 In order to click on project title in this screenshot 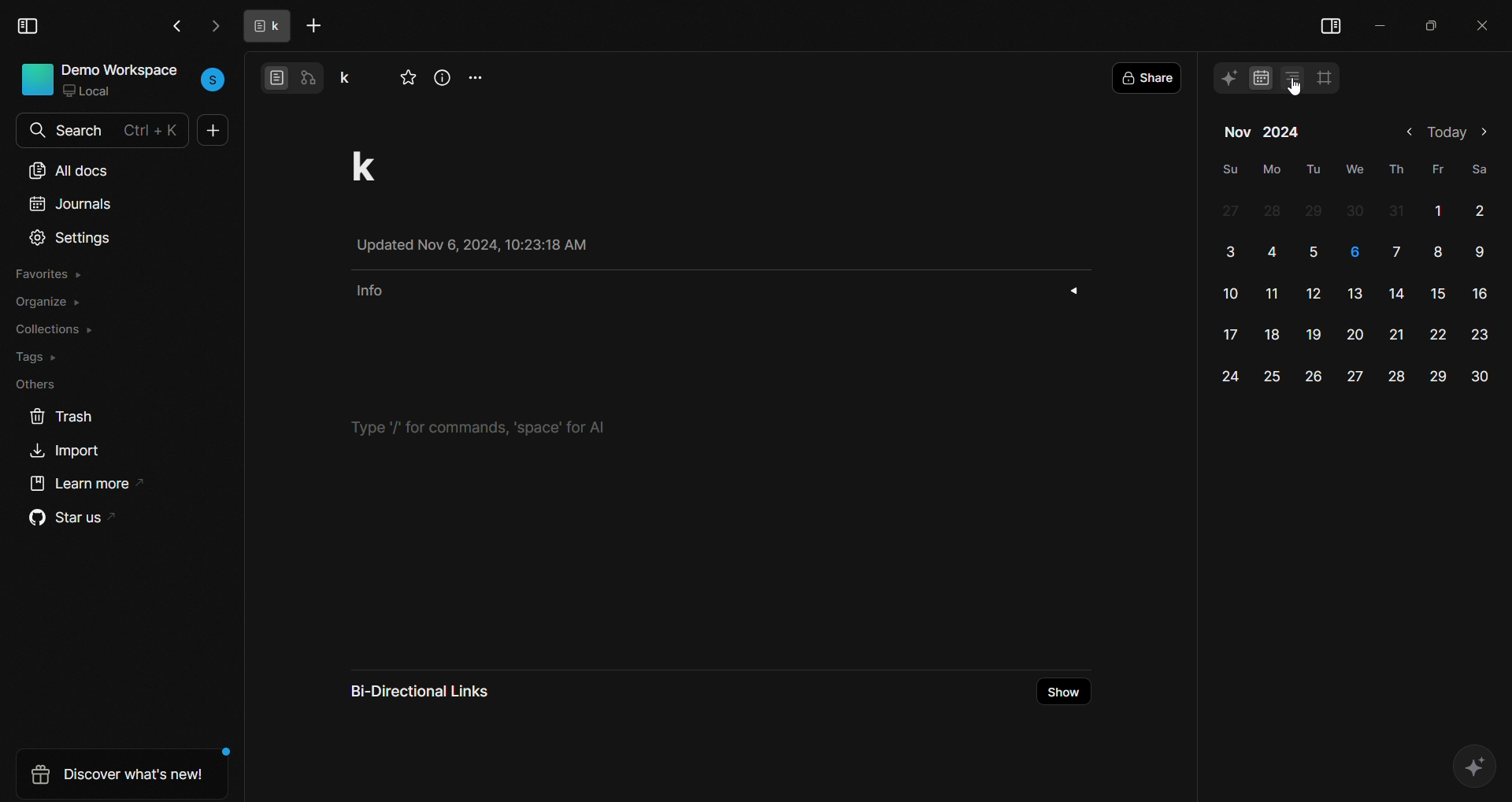, I will do `click(382, 165)`.